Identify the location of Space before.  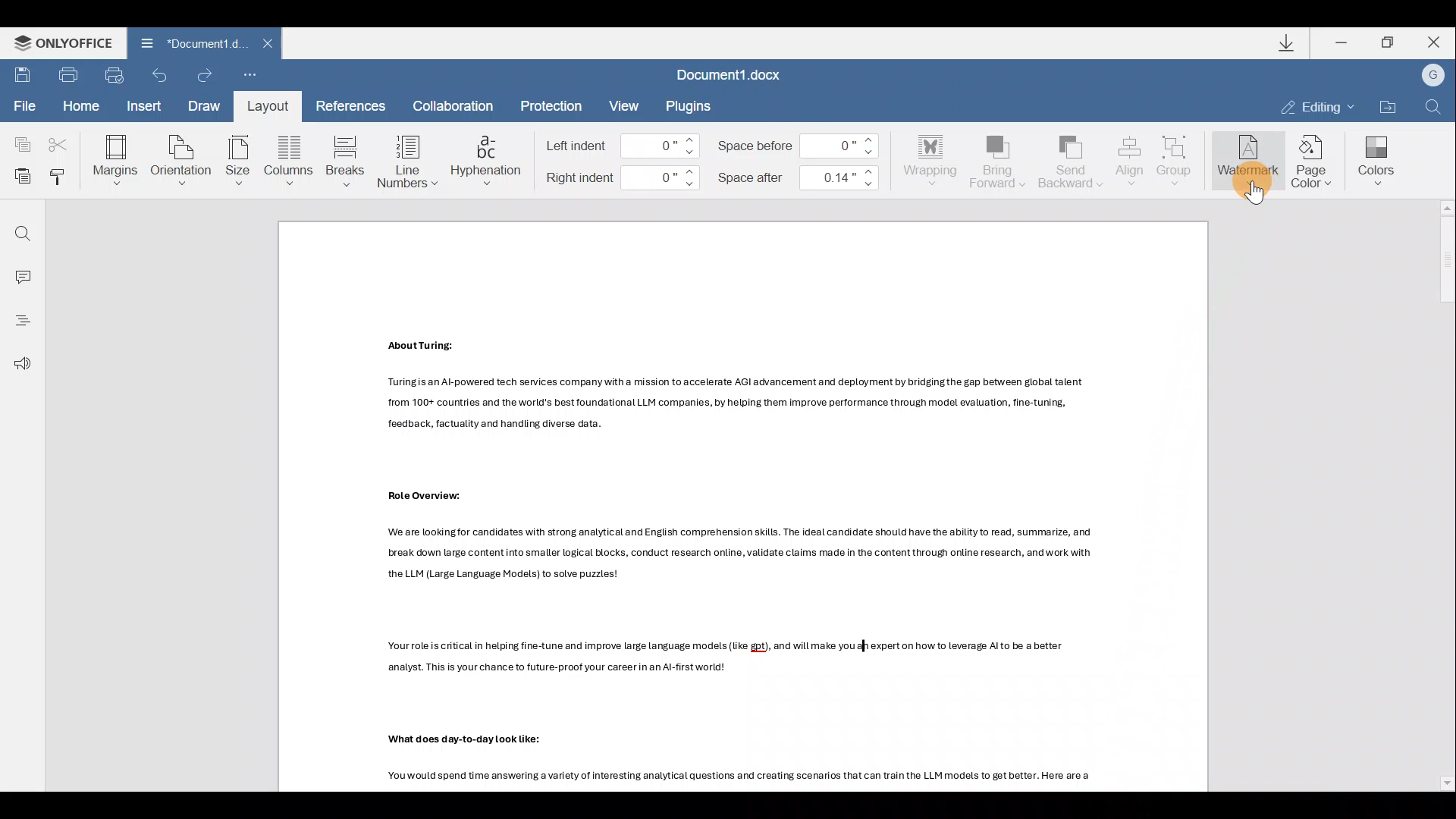
(799, 145).